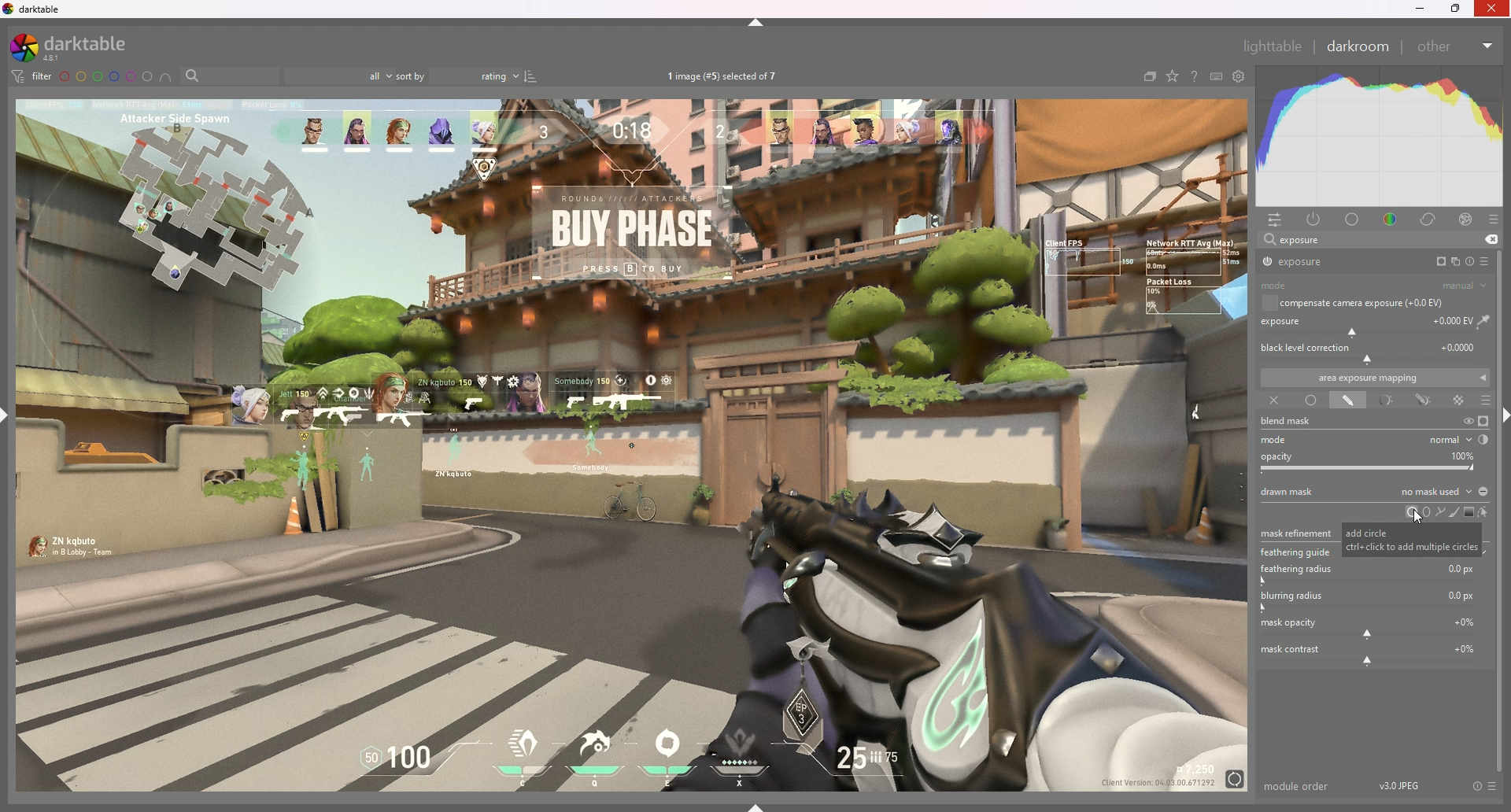  Describe the element at coordinates (1493, 220) in the screenshot. I see `presets` at that location.